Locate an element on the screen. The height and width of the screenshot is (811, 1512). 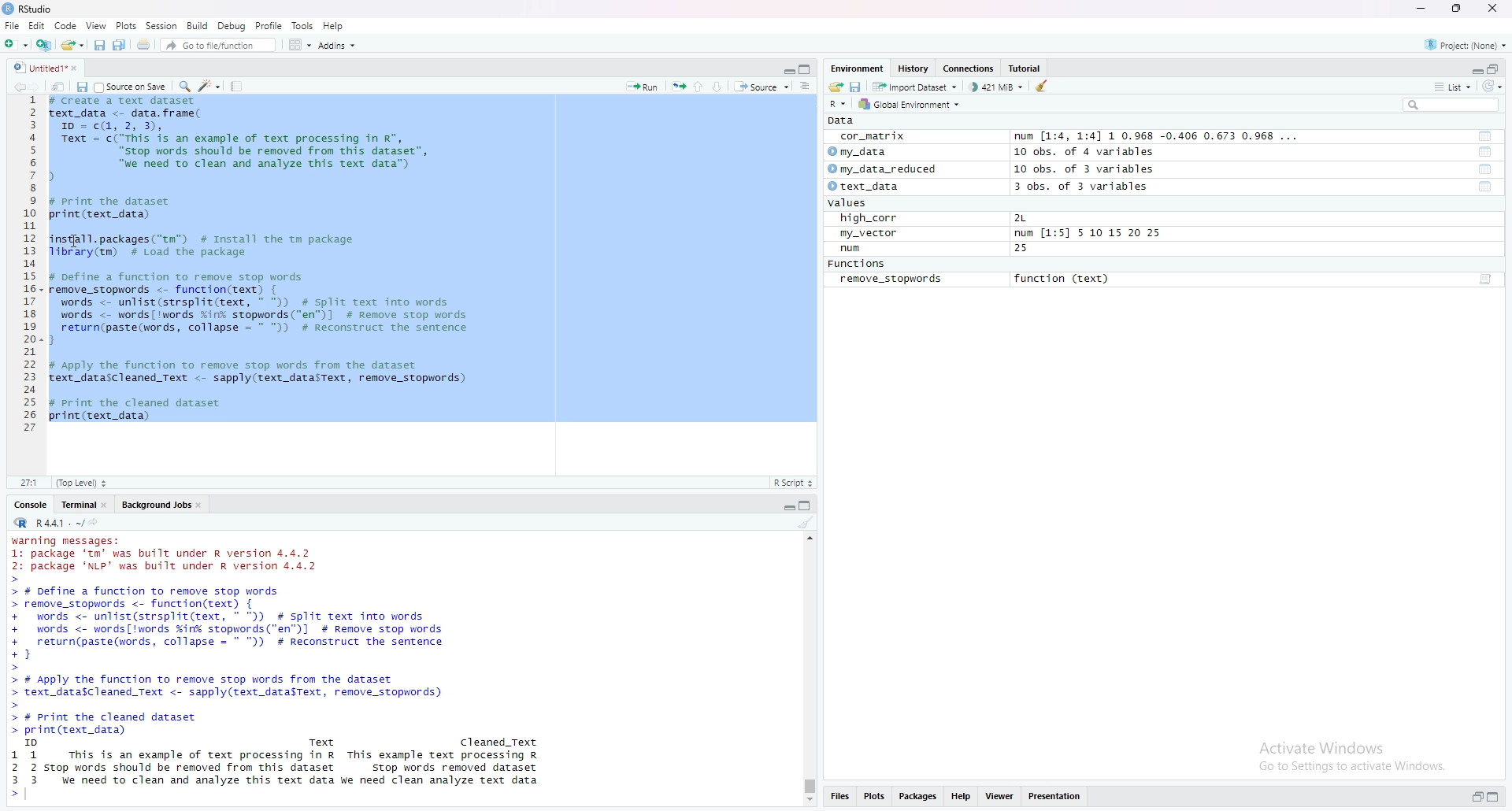
 my data is located at coordinates (858, 150).